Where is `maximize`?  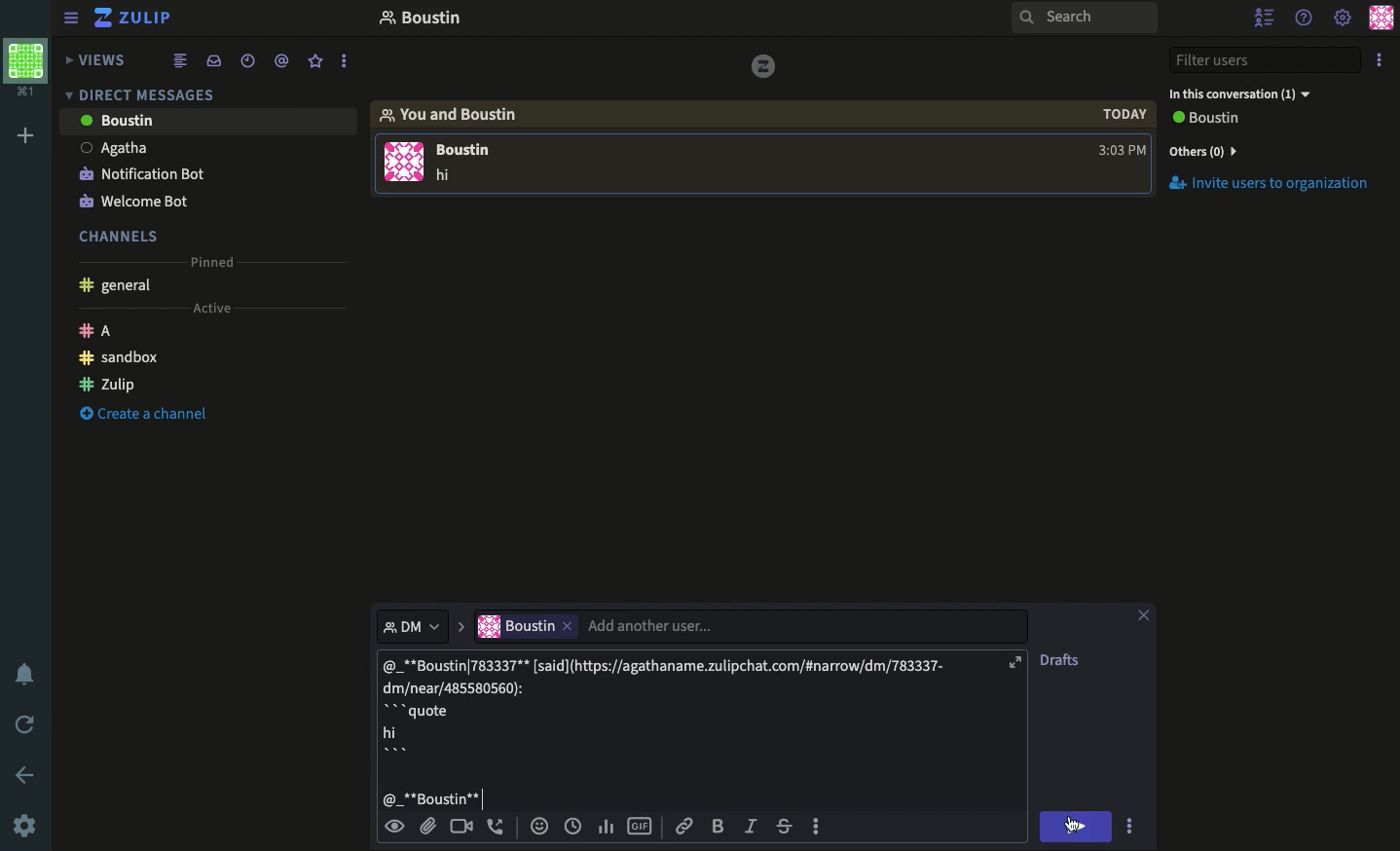 maximize is located at coordinates (1016, 662).